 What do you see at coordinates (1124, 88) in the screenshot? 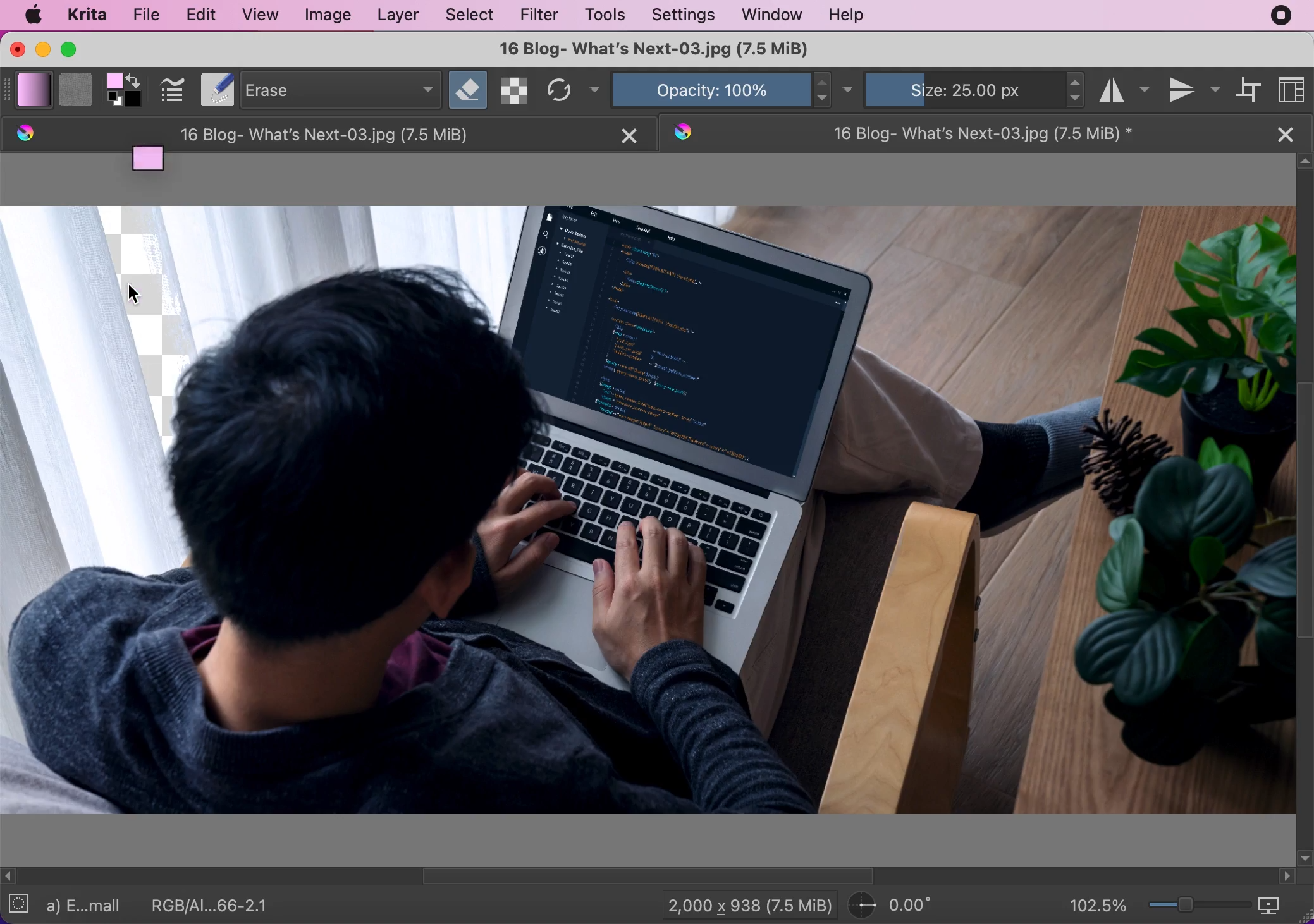
I see `horizontal mirror tool` at bounding box center [1124, 88].